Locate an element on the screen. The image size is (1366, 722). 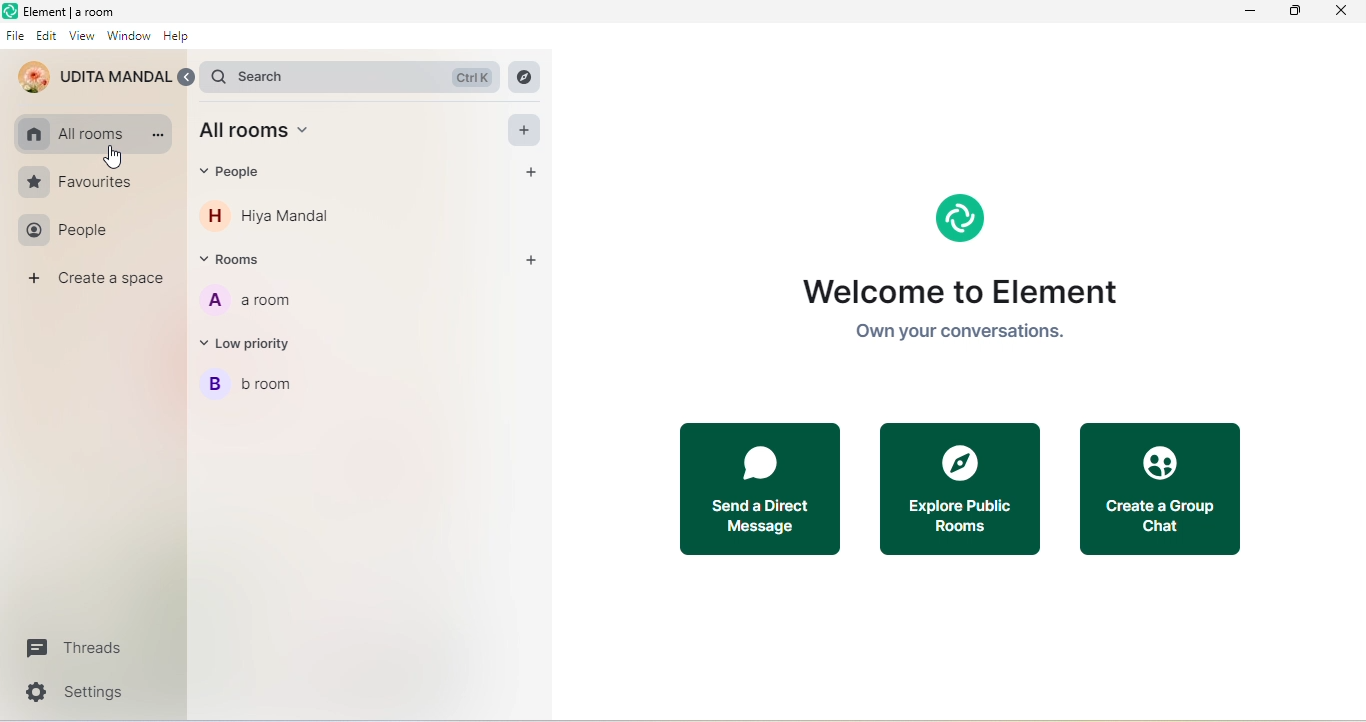
Cursor is located at coordinates (116, 157).